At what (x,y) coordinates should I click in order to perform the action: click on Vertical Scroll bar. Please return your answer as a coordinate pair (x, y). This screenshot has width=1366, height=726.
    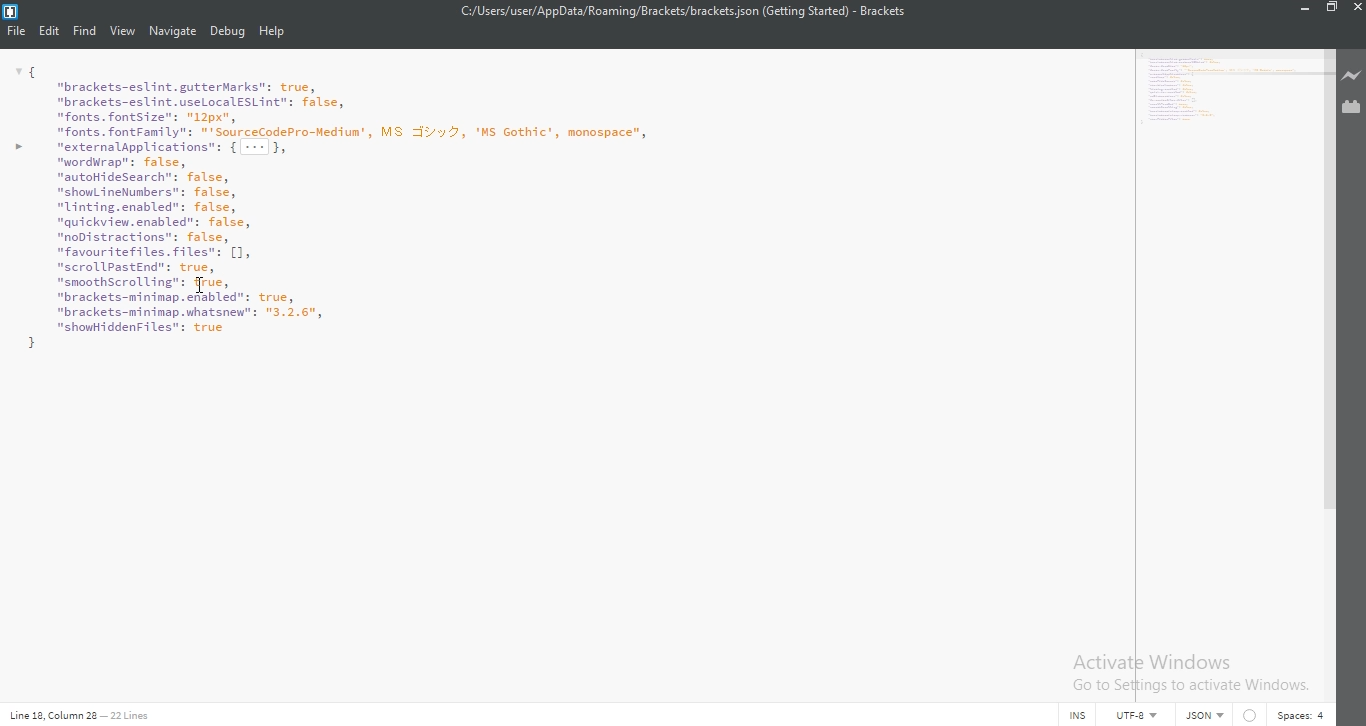
    Looking at the image, I should click on (1327, 277).